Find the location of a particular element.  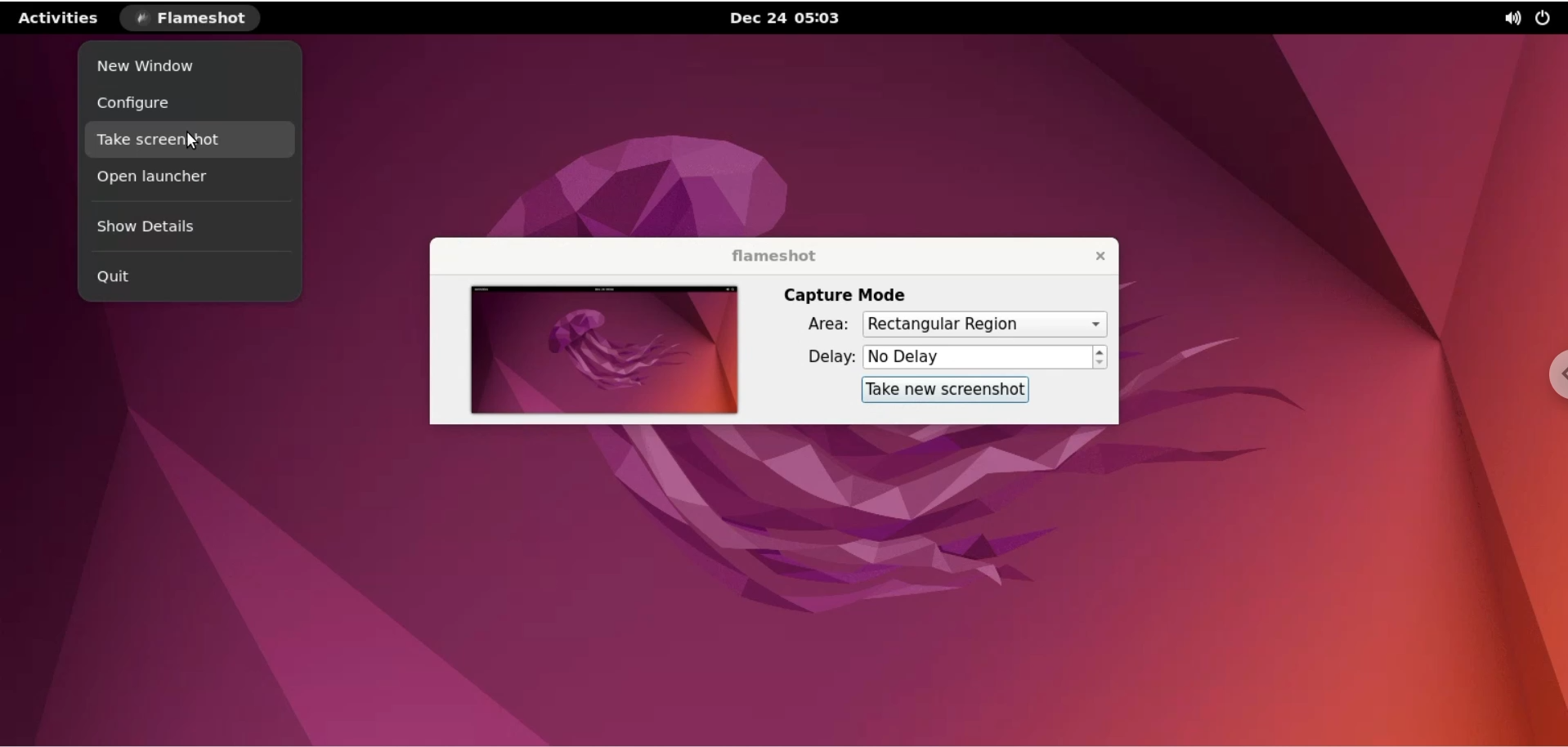

take new screenshot is located at coordinates (943, 390).